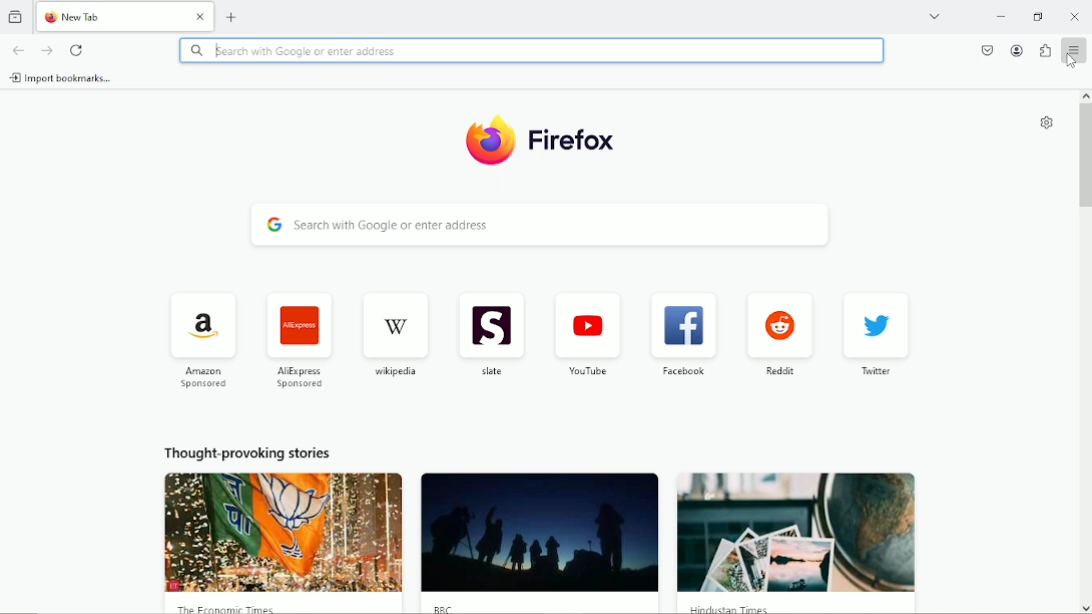  What do you see at coordinates (1085, 95) in the screenshot?
I see `Scroll Up` at bounding box center [1085, 95].